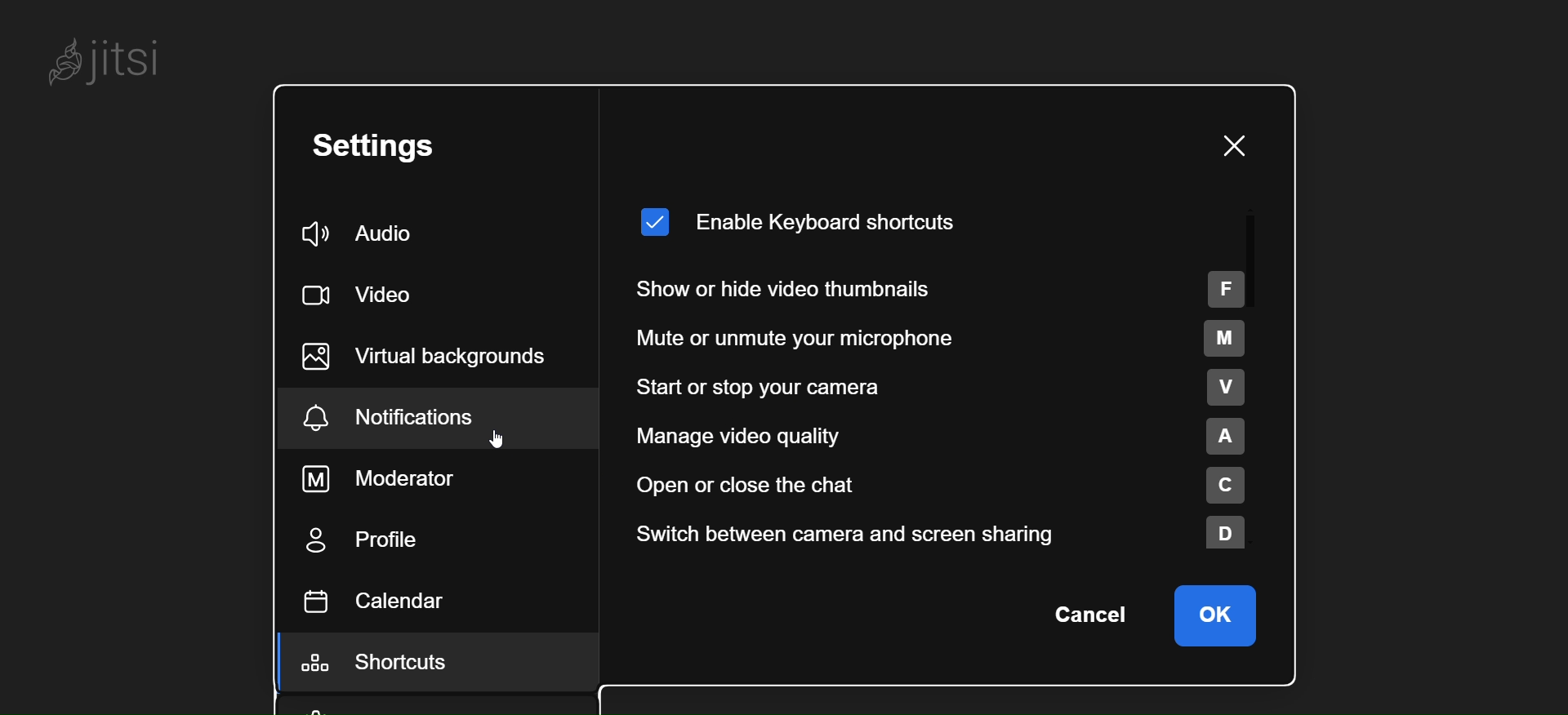 The height and width of the screenshot is (715, 1568). Describe the element at coordinates (939, 436) in the screenshot. I see `manage video quality` at that location.